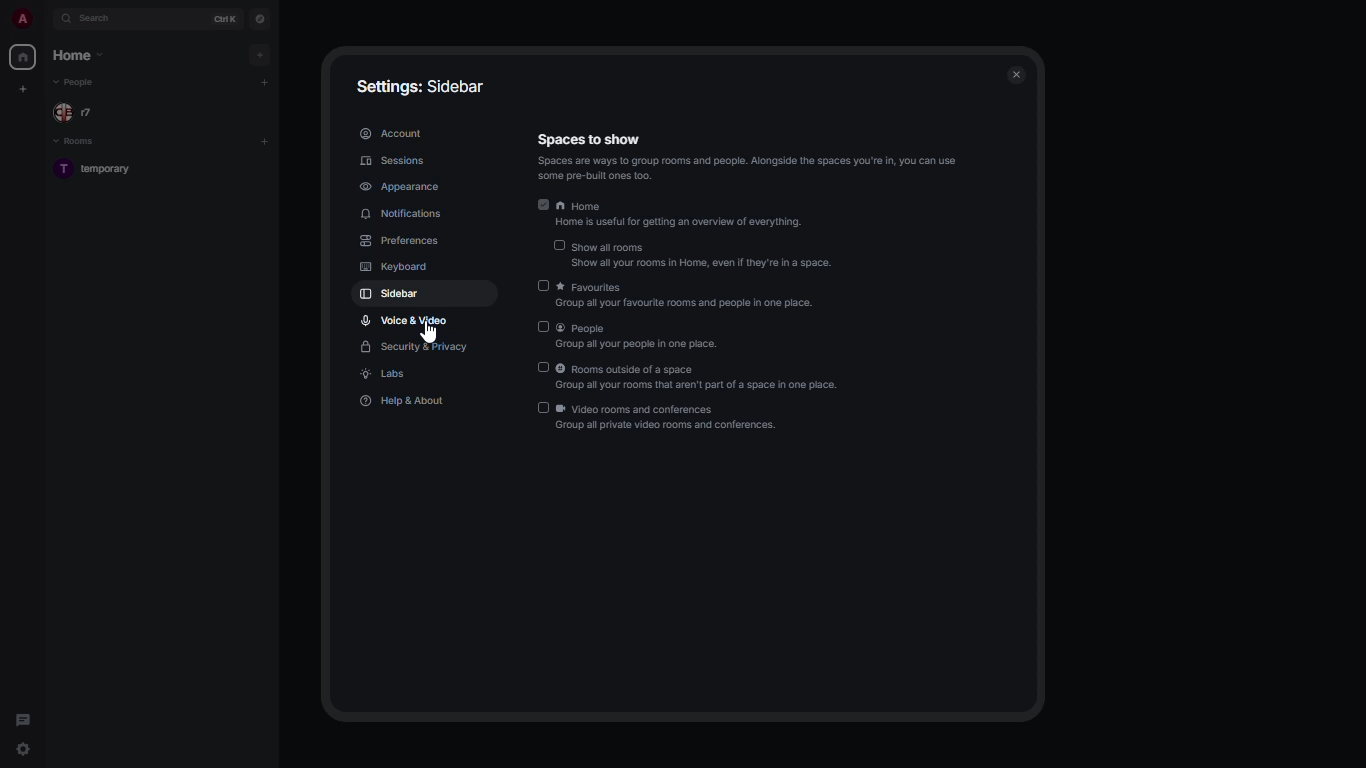 This screenshot has width=1366, height=768. Describe the element at coordinates (397, 267) in the screenshot. I see `keyboard` at that location.